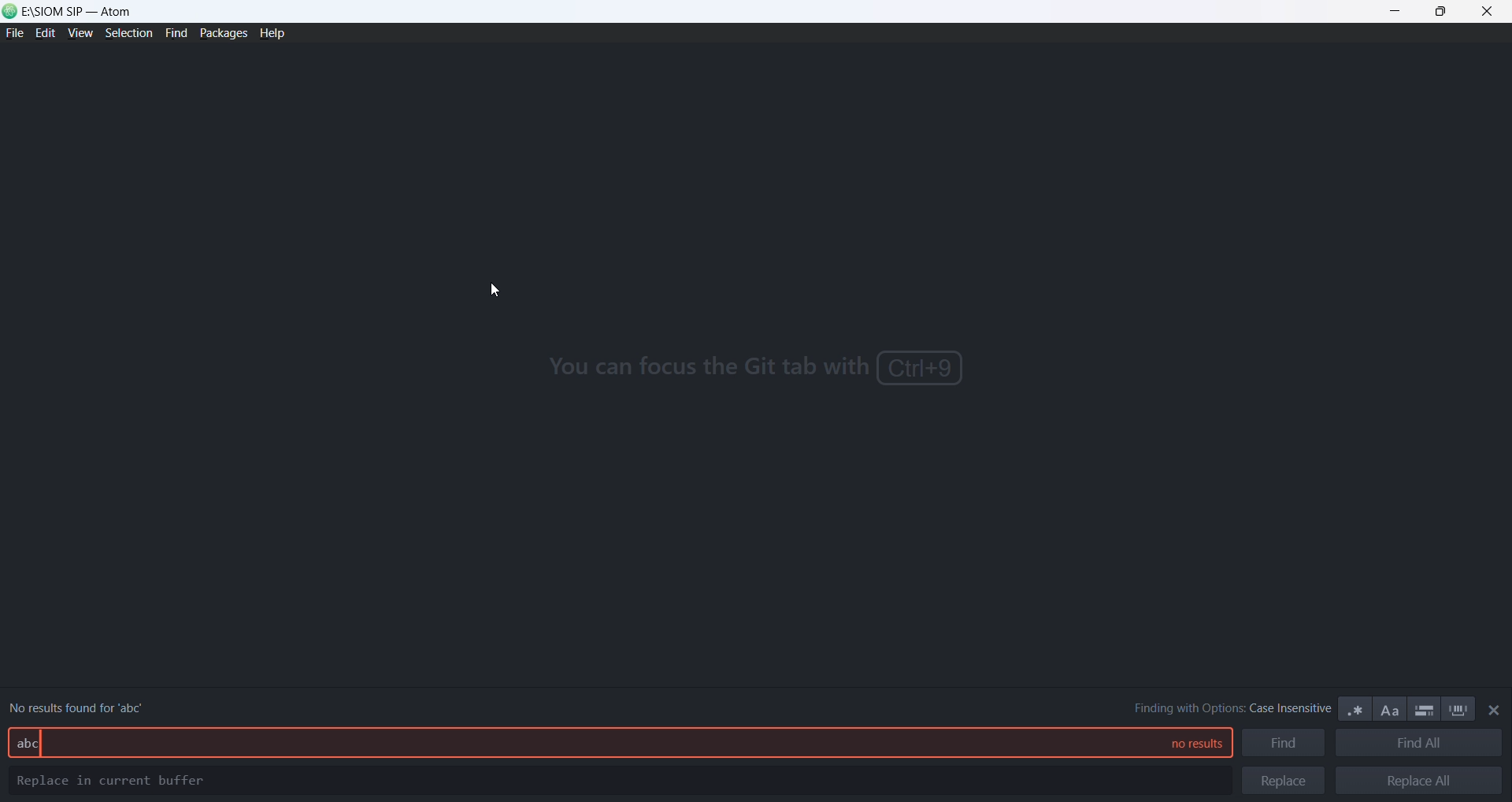 The image size is (1512, 802). I want to click on replace in current buffer, so click(115, 782).